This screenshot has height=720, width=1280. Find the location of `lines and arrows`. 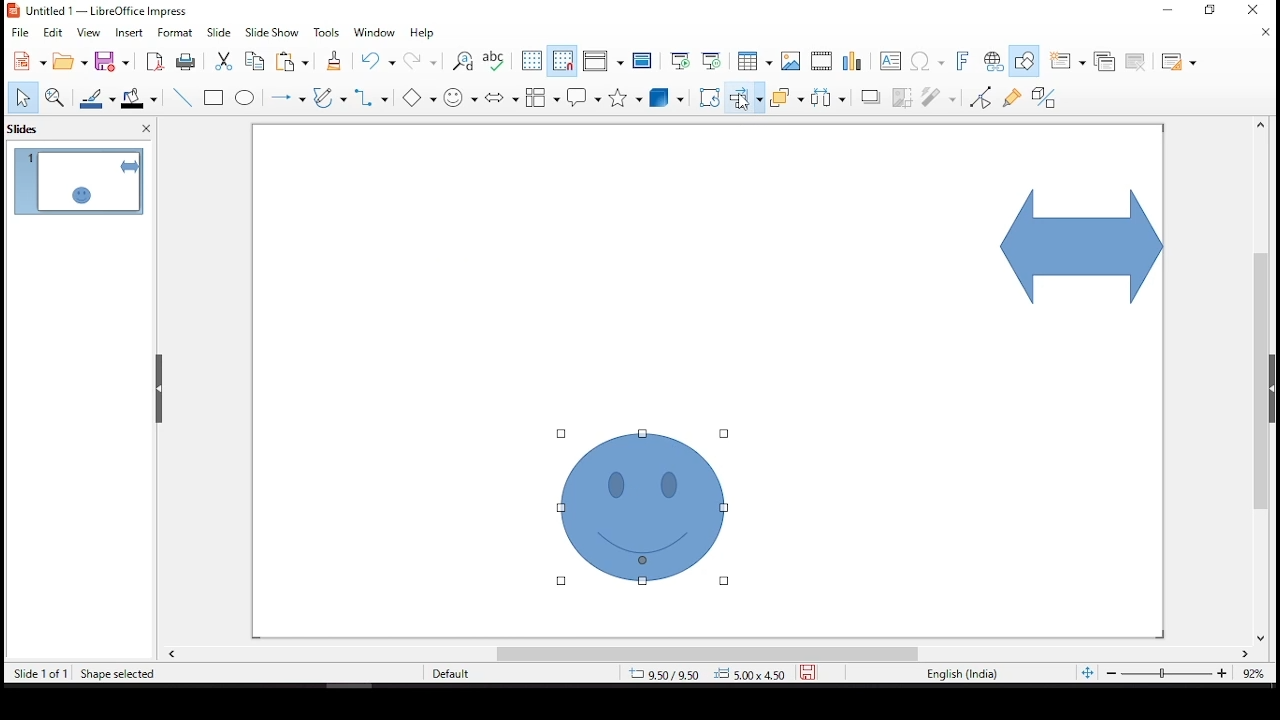

lines and arrows is located at coordinates (291, 97).